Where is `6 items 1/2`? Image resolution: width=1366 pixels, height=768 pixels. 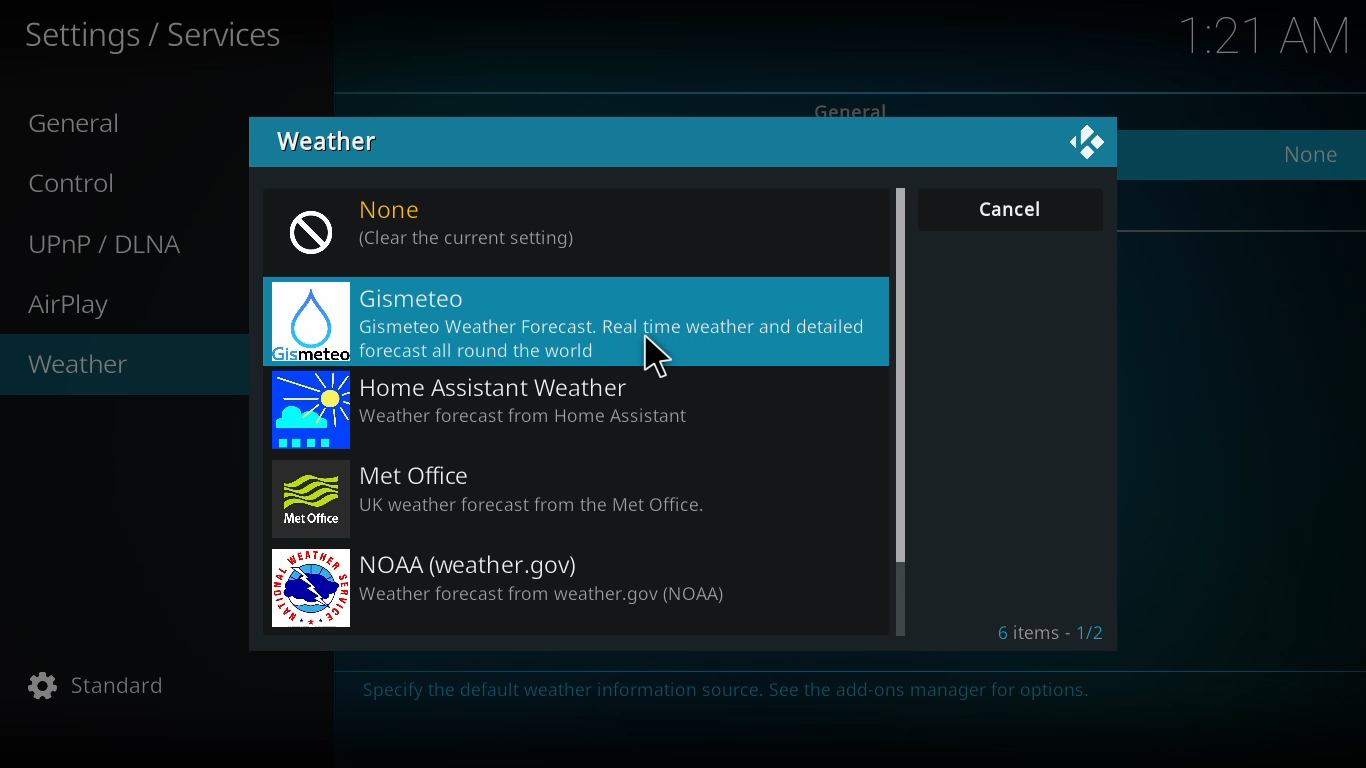 6 items 1/2 is located at coordinates (1054, 632).